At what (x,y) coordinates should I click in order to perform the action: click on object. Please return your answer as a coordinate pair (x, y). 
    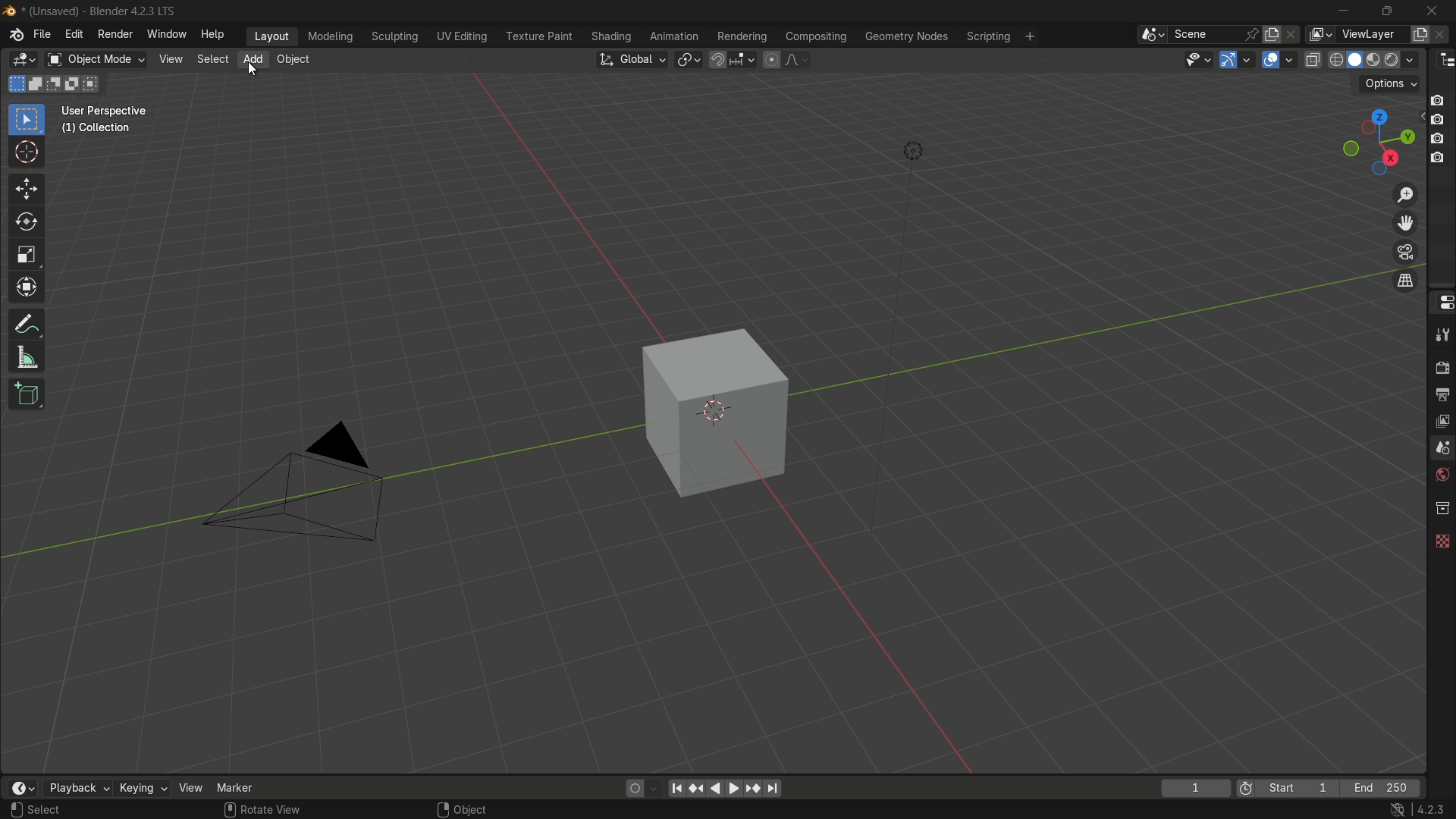
    Looking at the image, I should click on (464, 808).